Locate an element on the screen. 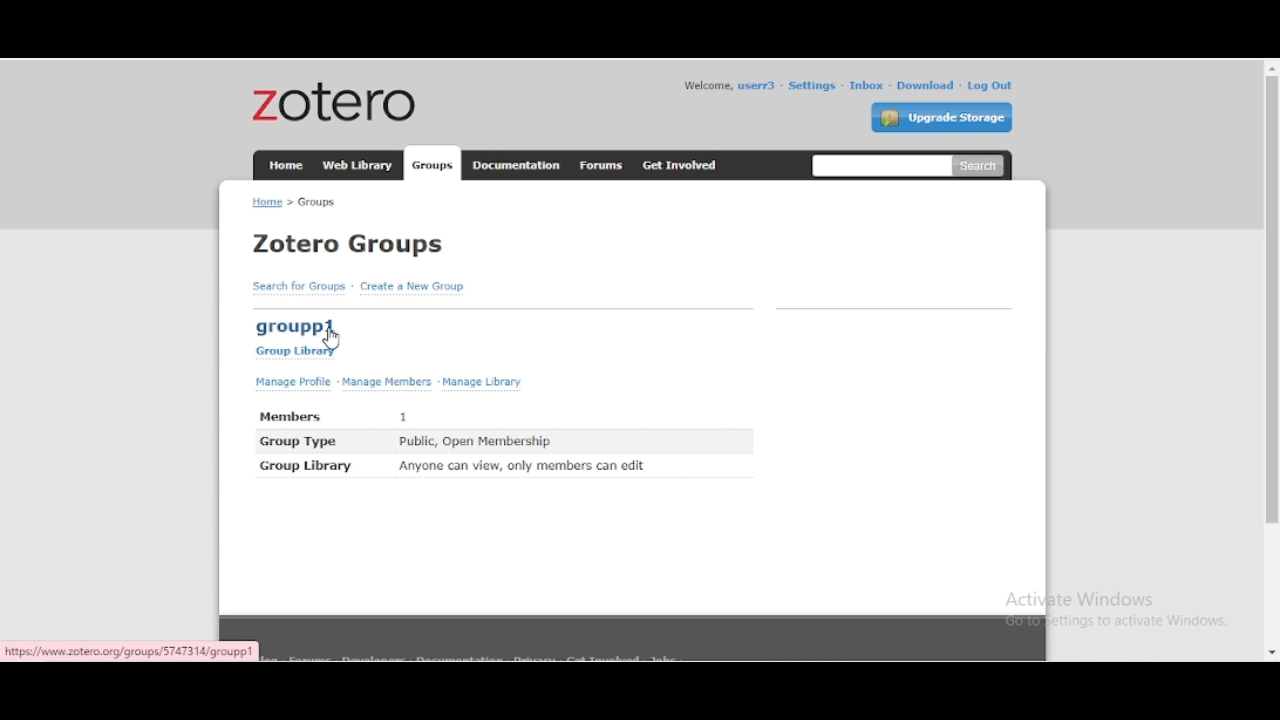 This screenshot has height=720, width=1280. create a new group is located at coordinates (412, 286).